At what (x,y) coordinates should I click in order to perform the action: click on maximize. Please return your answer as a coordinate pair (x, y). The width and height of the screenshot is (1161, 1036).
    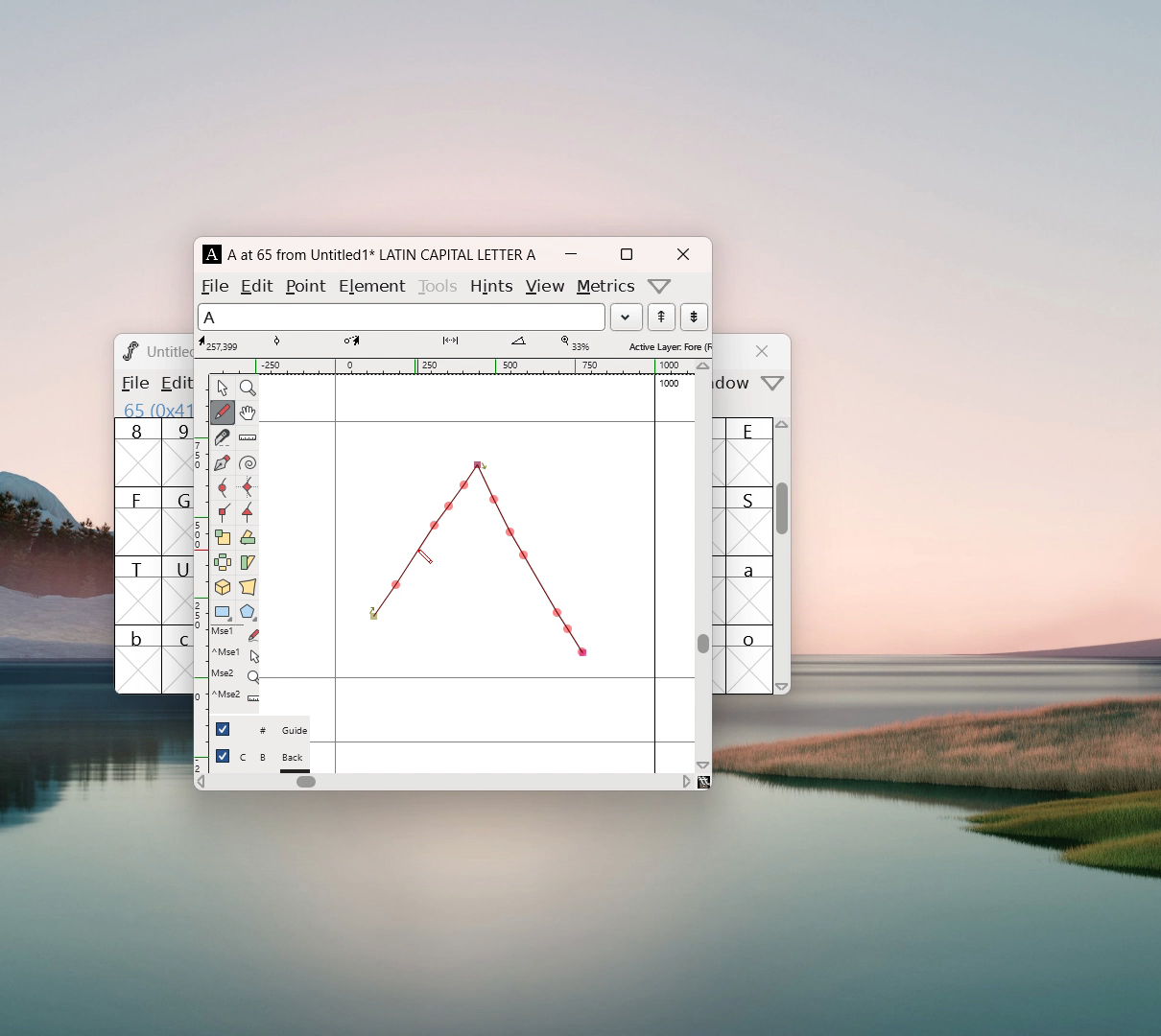
    Looking at the image, I should click on (626, 254).